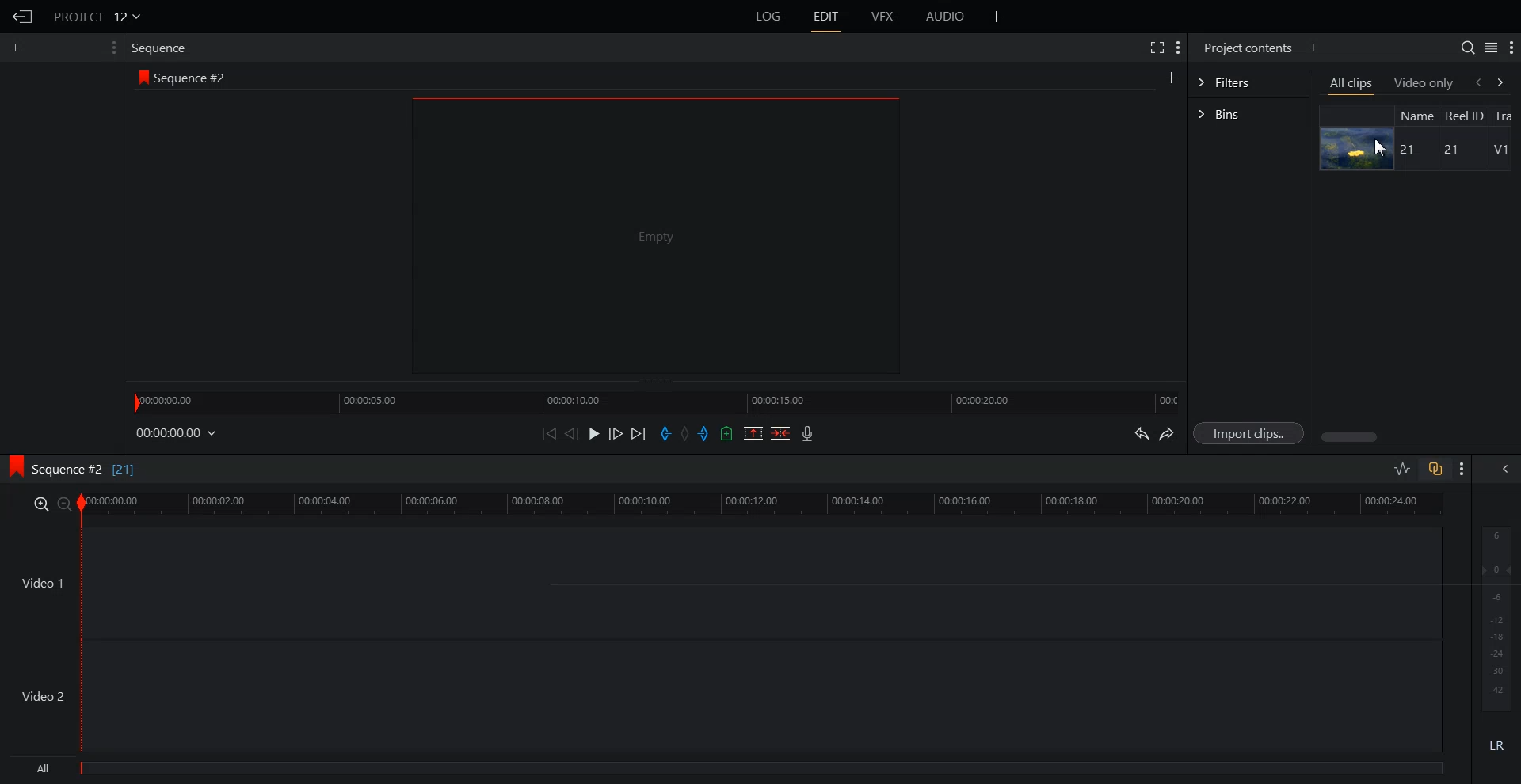 This screenshot has height=784, width=1521. What do you see at coordinates (808, 433) in the screenshot?
I see `Record Audio` at bounding box center [808, 433].